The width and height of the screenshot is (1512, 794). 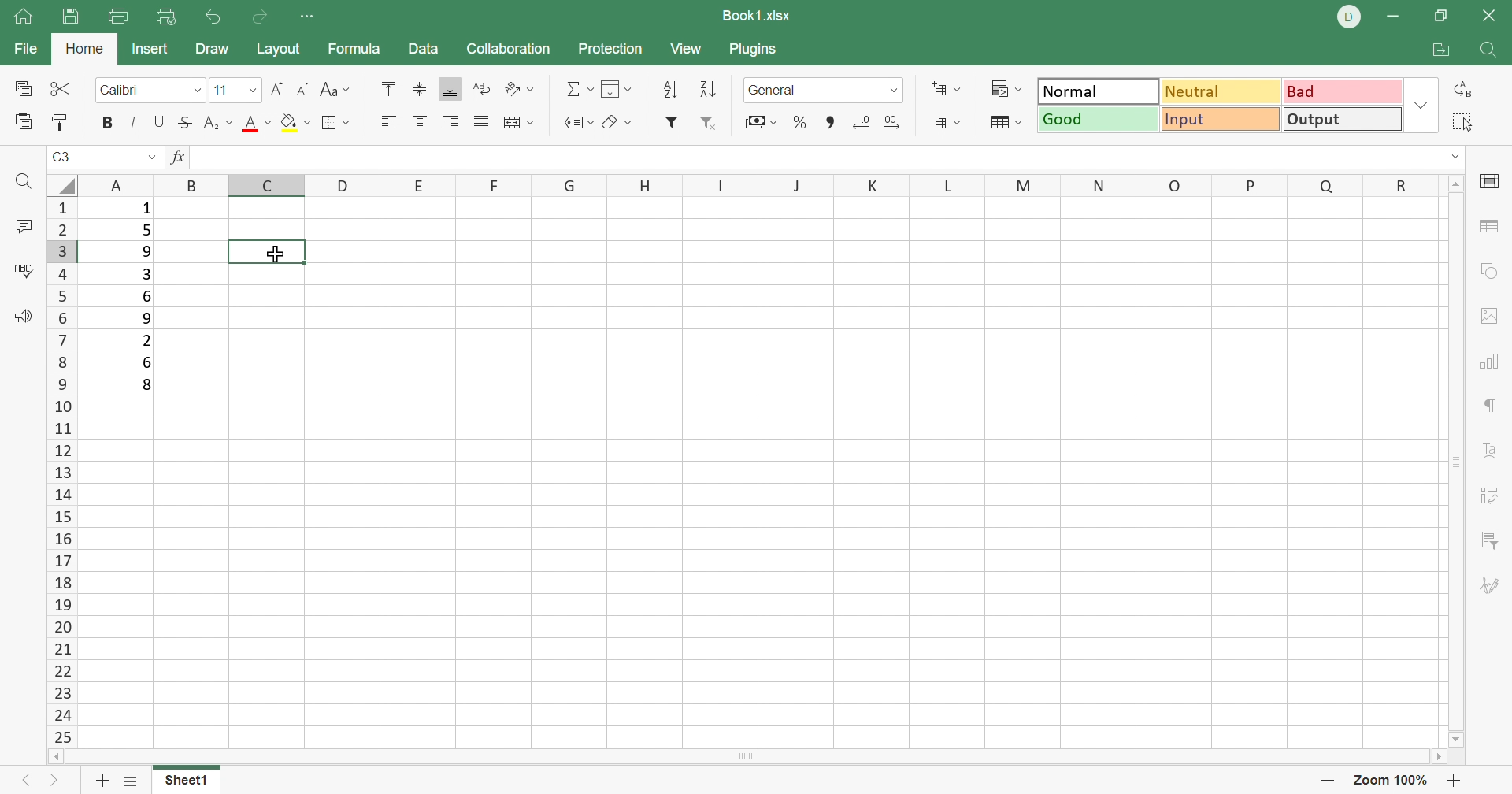 I want to click on Wrap Text, so click(x=480, y=87).